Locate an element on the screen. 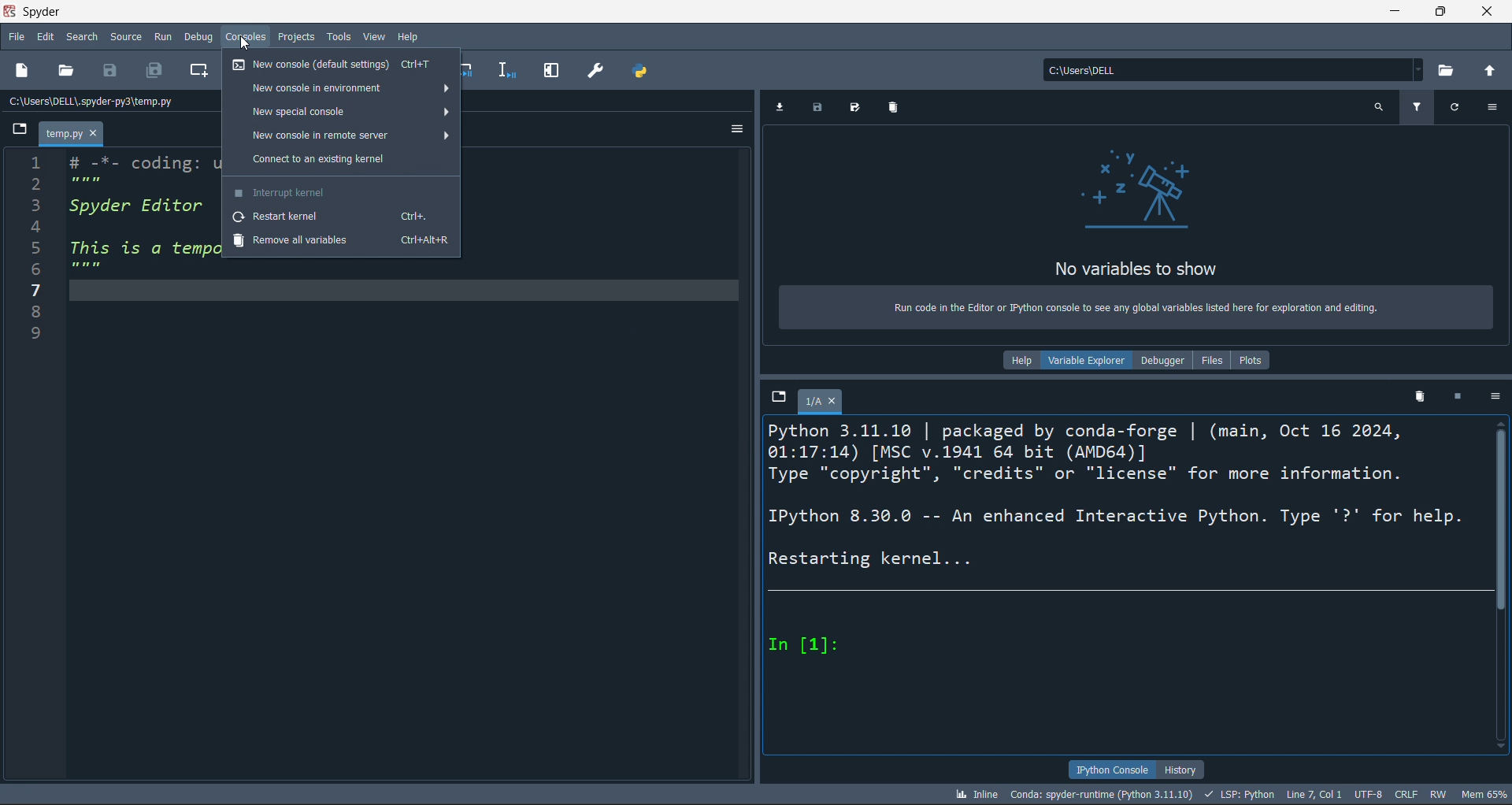  consoles is located at coordinates (244, 37).